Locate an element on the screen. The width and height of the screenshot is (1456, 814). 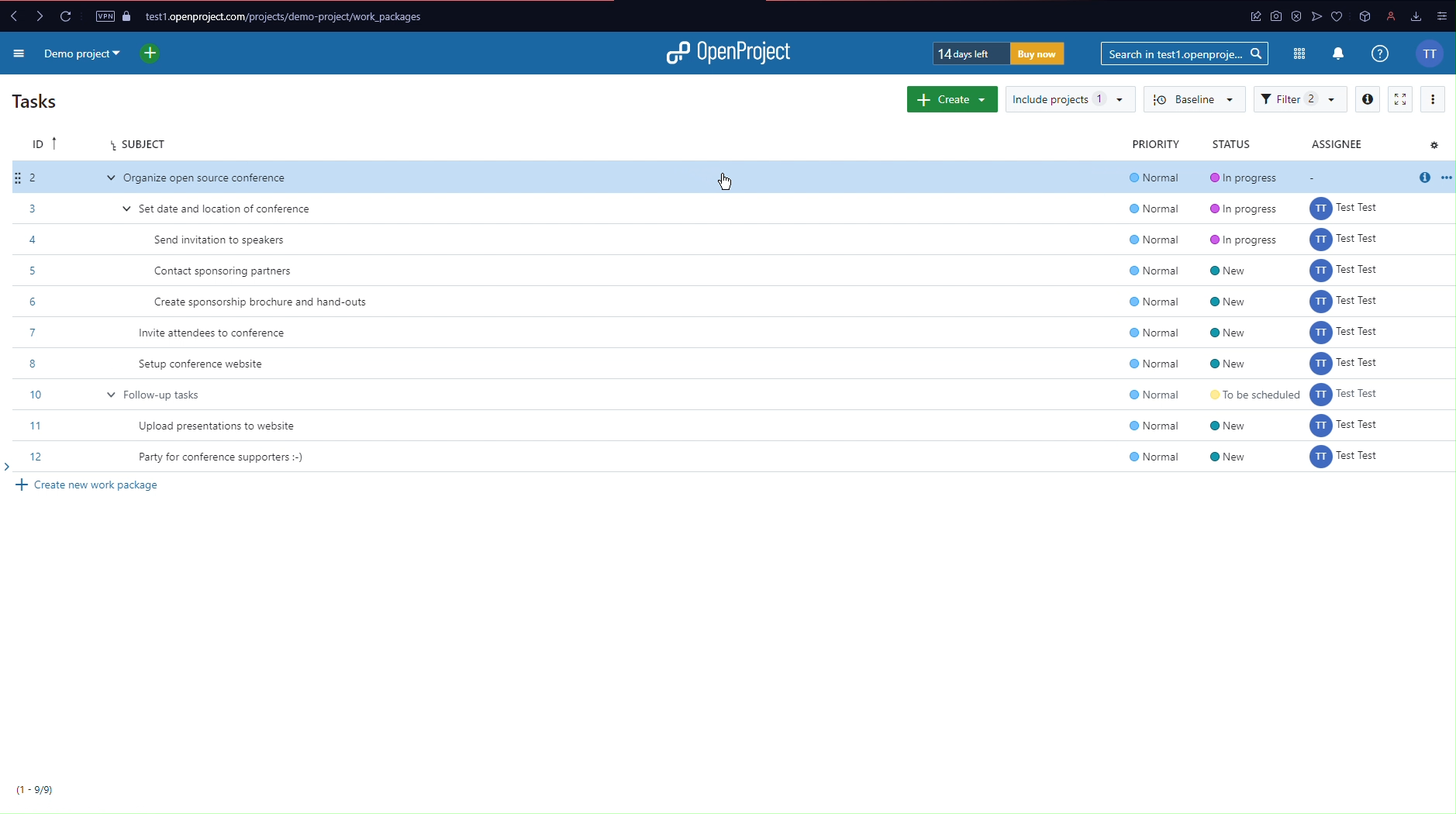
priority level: normal is located at coordinates (1154, 317).